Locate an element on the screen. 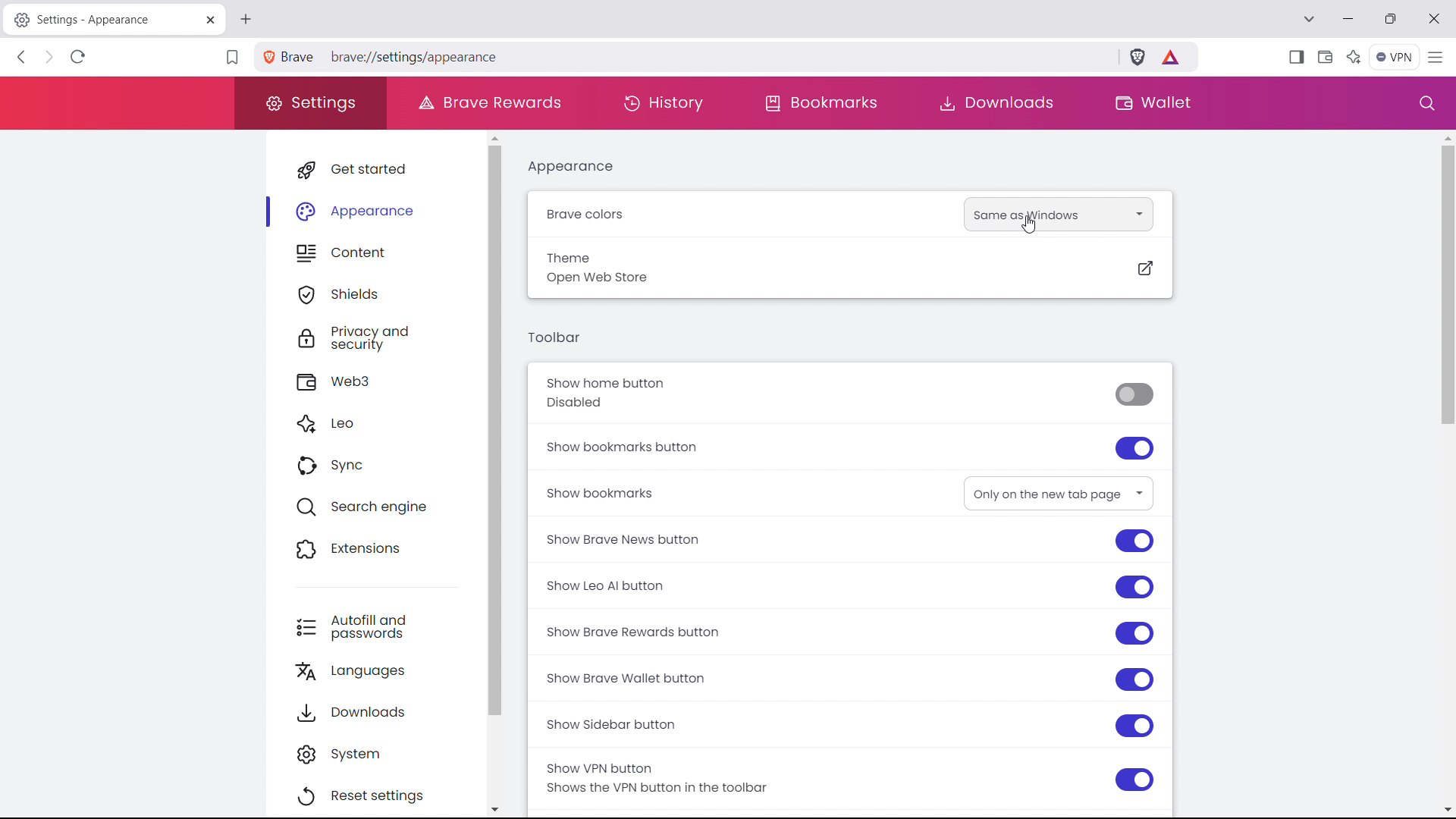  shields is located at coordinates (385, 292).